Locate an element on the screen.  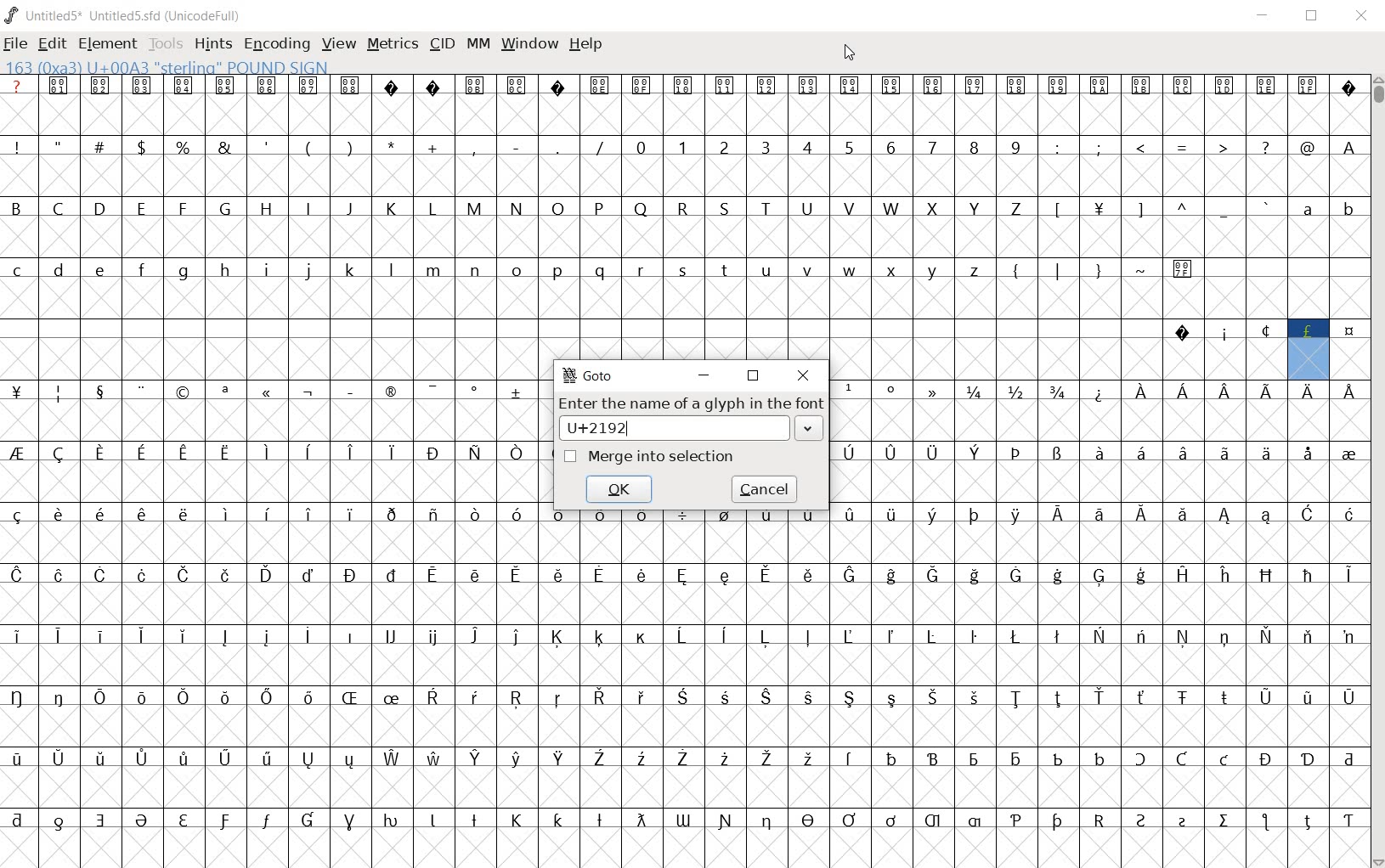
Merge into selection is located at coordinates (647, 455).